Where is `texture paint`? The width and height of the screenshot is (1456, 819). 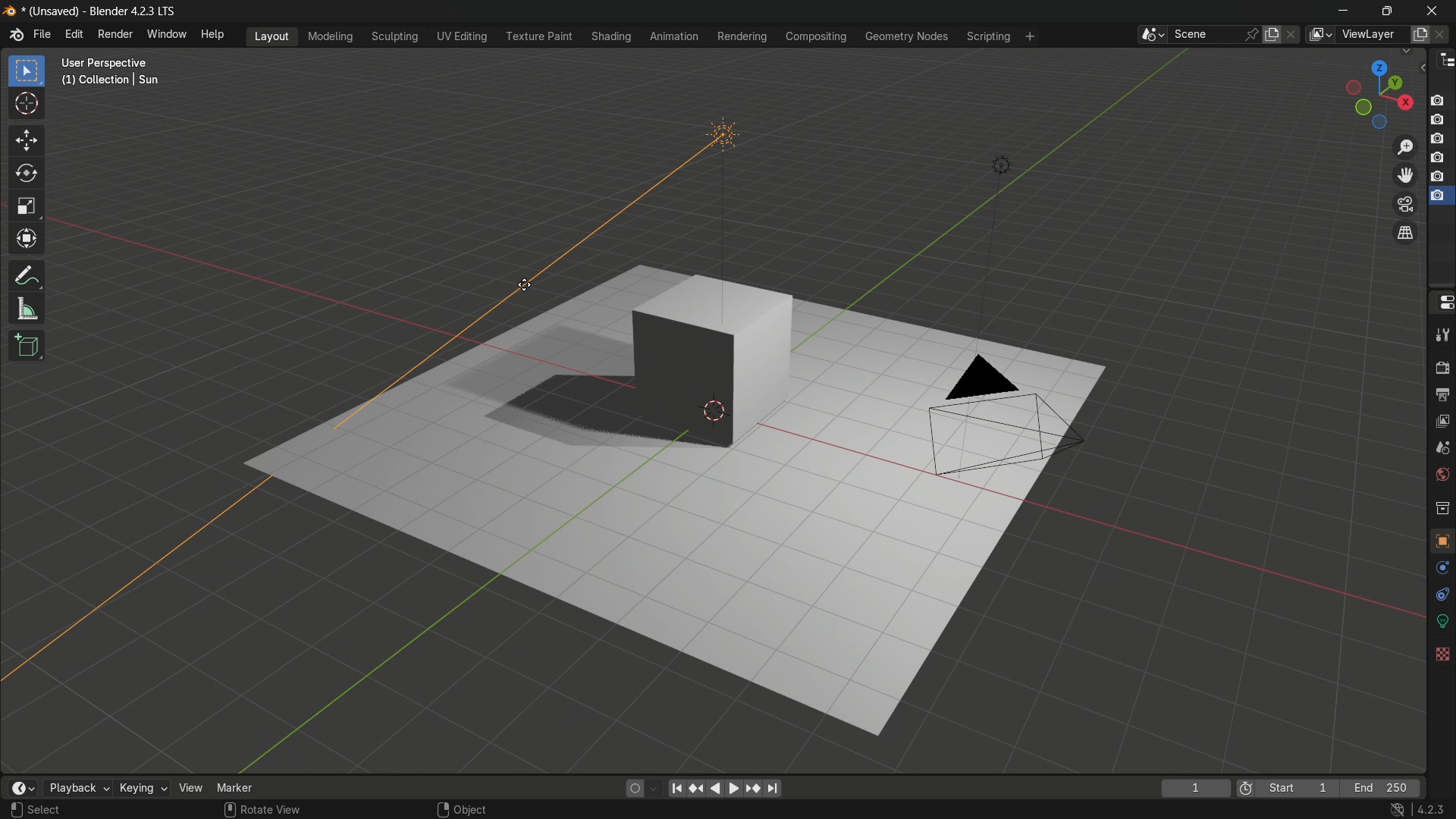
texture paint is located at coordinates (535, 36).